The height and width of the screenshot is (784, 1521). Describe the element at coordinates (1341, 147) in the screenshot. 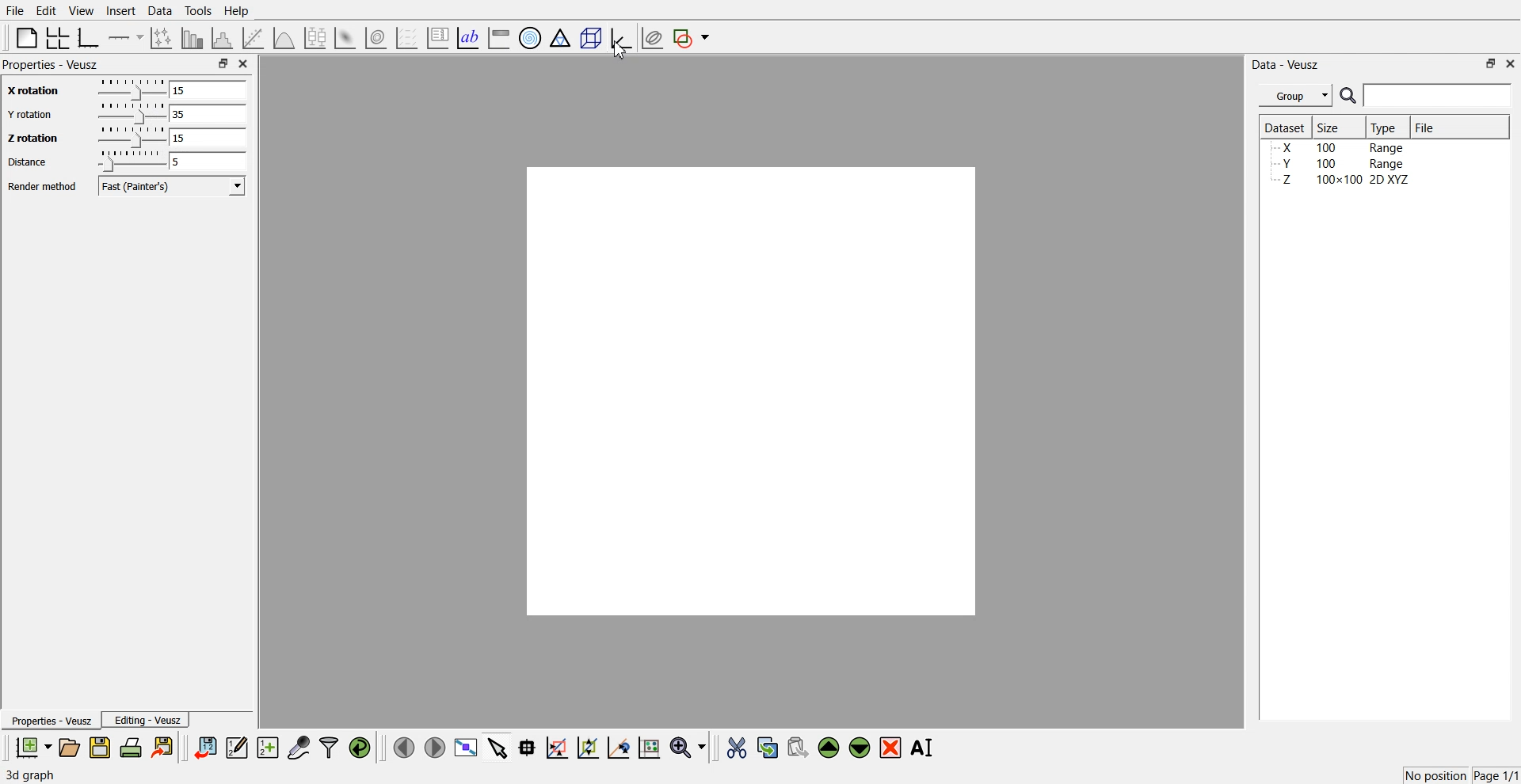

I see `X 100 Range` at that location.